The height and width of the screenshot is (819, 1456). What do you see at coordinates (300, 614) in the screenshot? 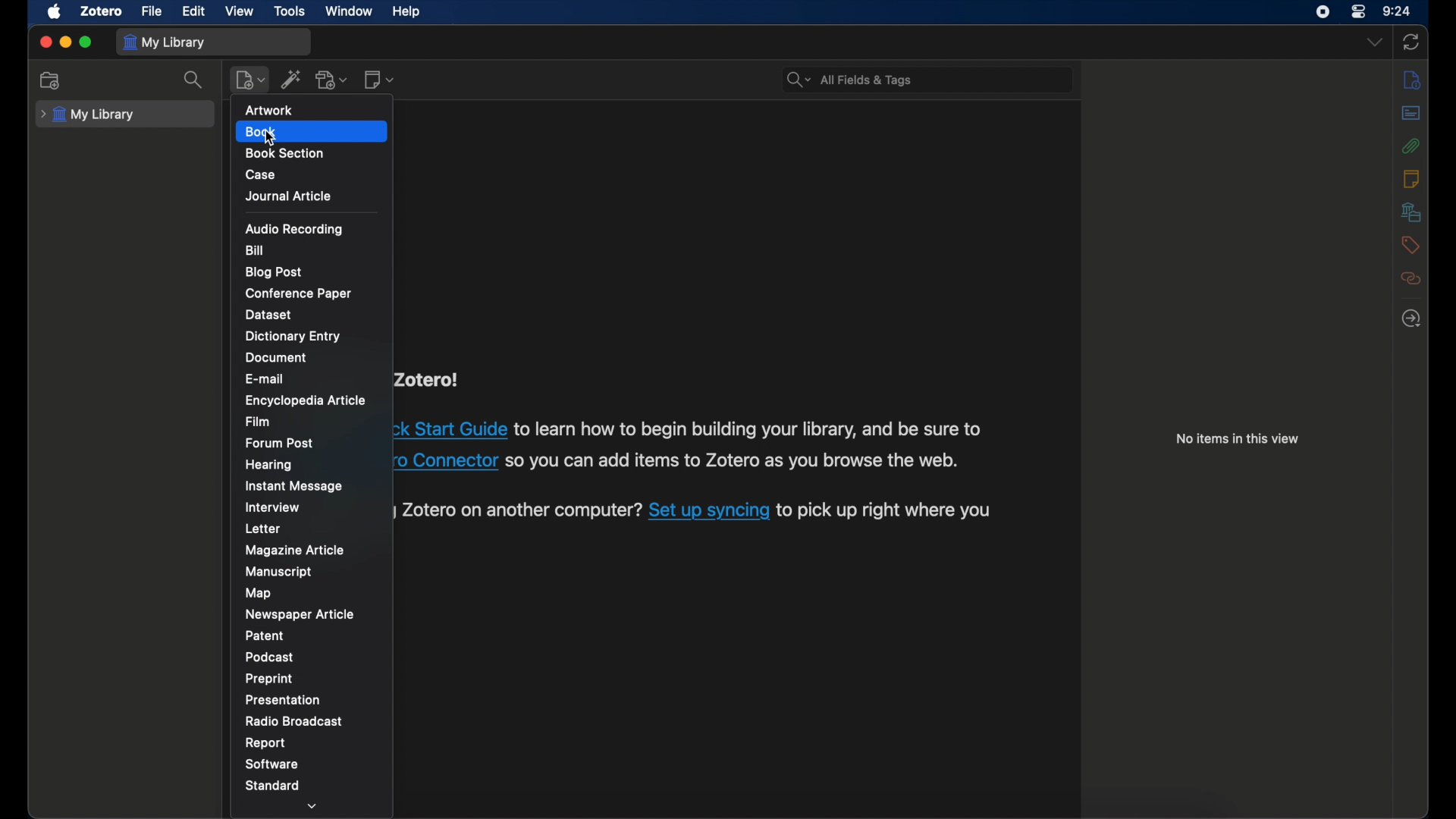
I see `newspaper article` at bounding box center [300, 614].